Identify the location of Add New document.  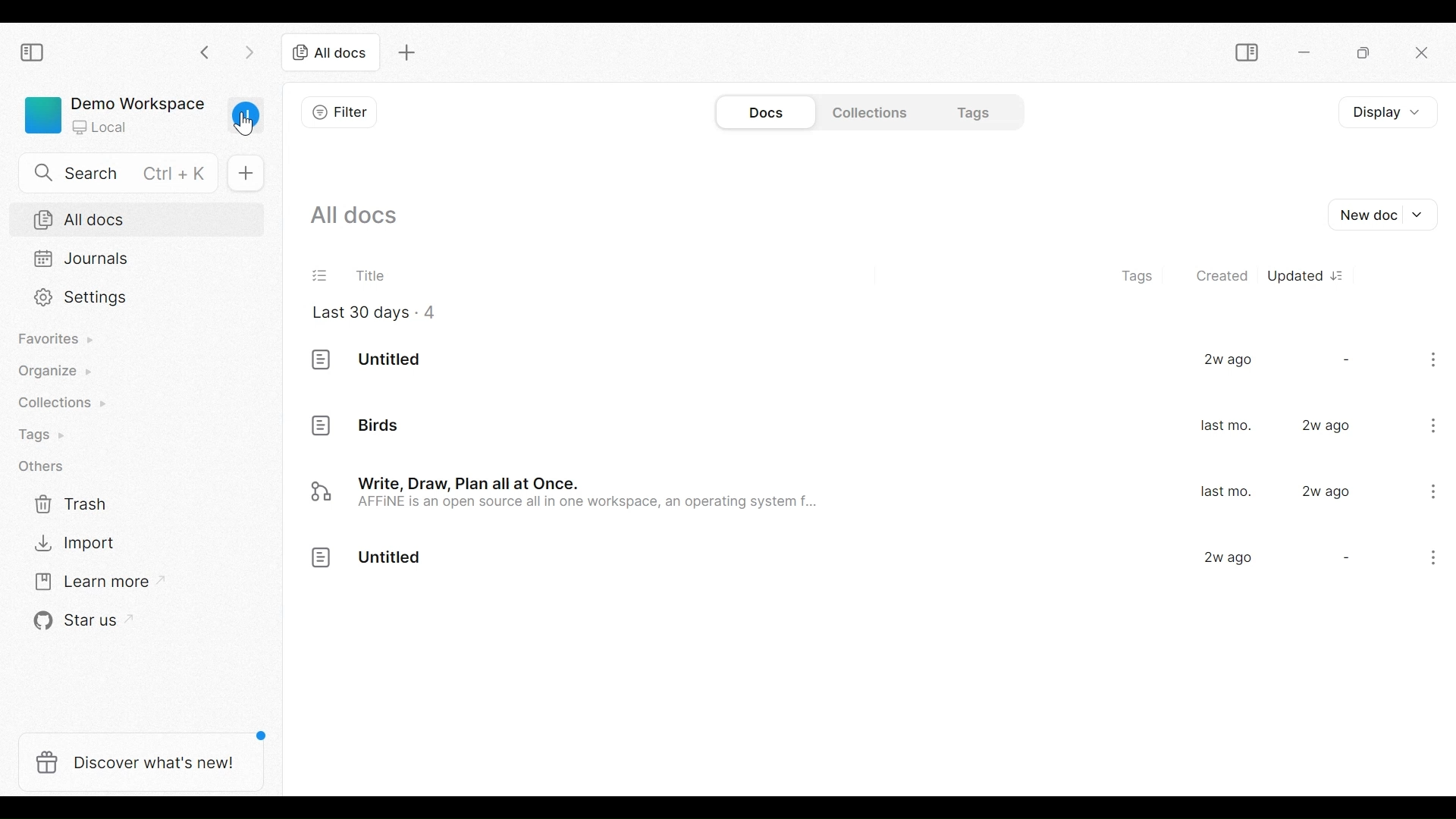
(1385, 215).